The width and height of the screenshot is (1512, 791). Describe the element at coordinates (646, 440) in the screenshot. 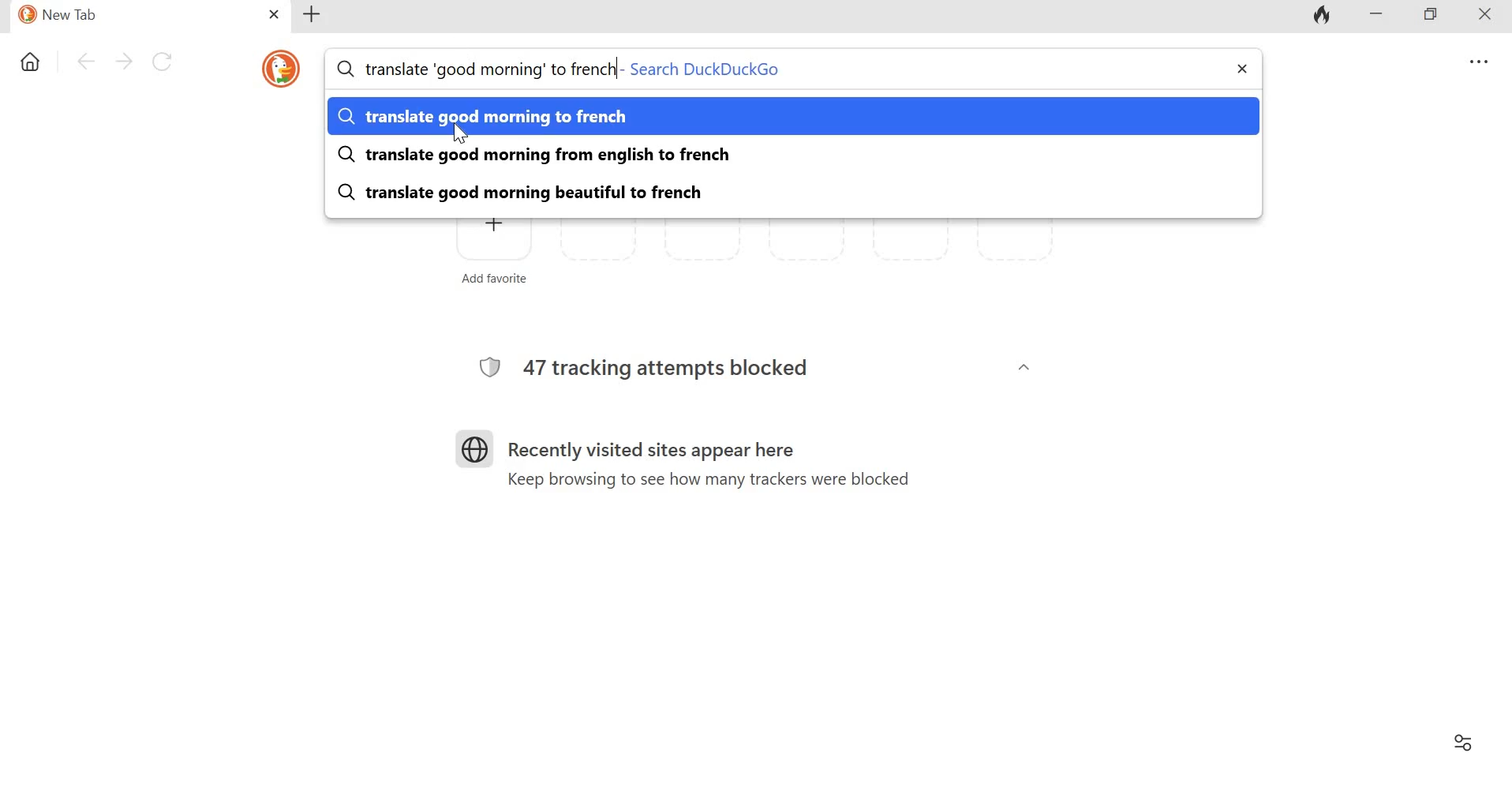

I see `Recently visited sites appear here` at that location.